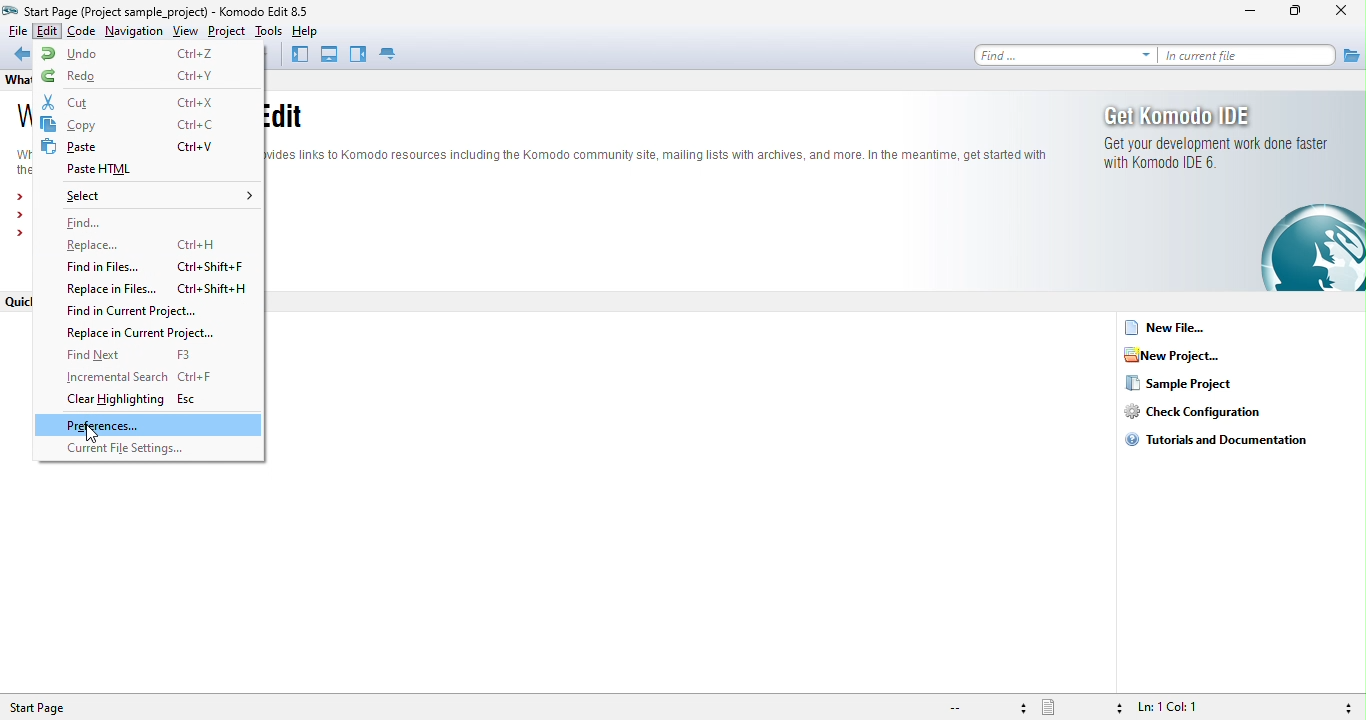  I want to click on replace, so click(152, 245).